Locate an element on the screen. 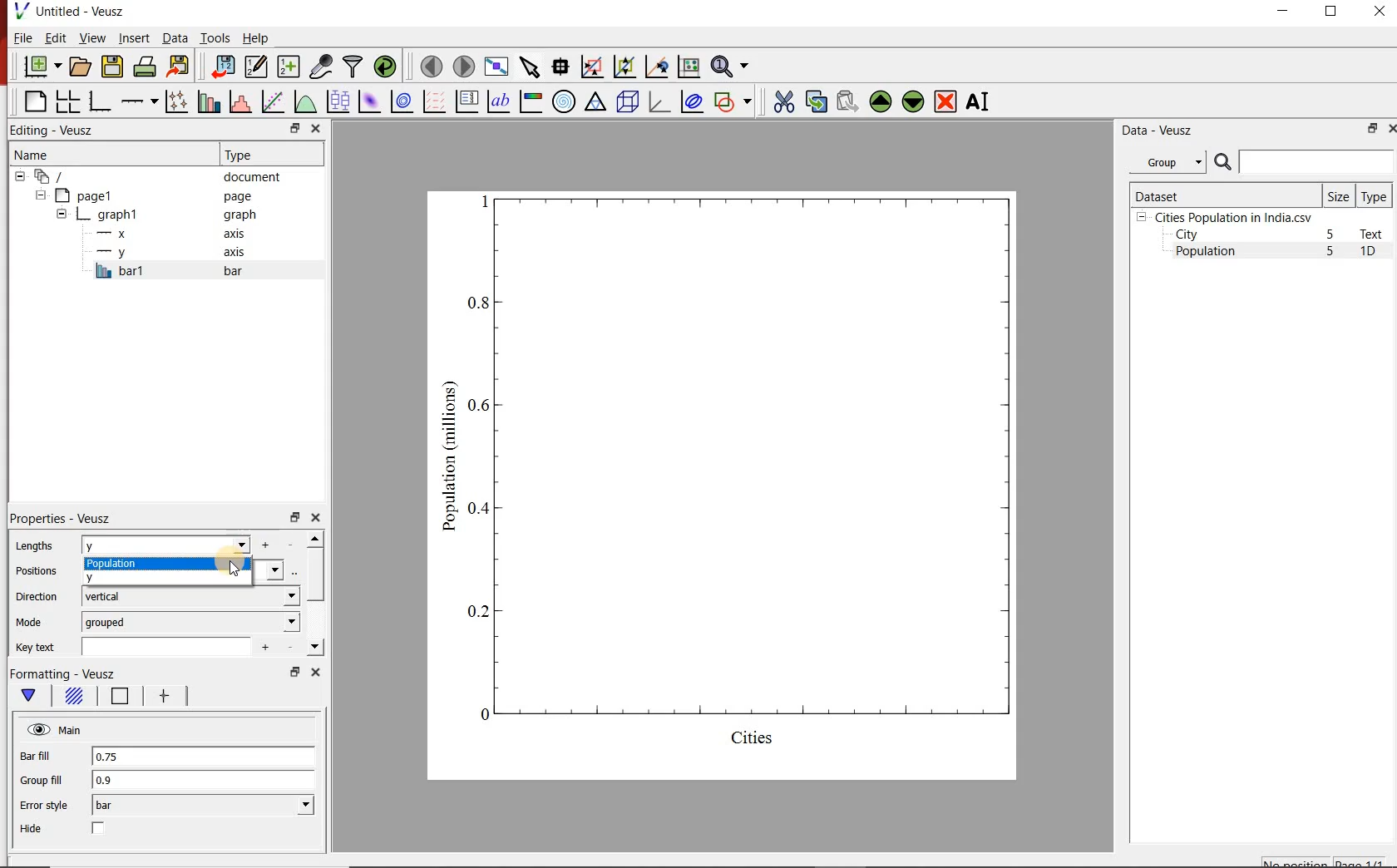 The height and width of the screenshot is (868, 1397). save the document is located at coordinates (112, 65).